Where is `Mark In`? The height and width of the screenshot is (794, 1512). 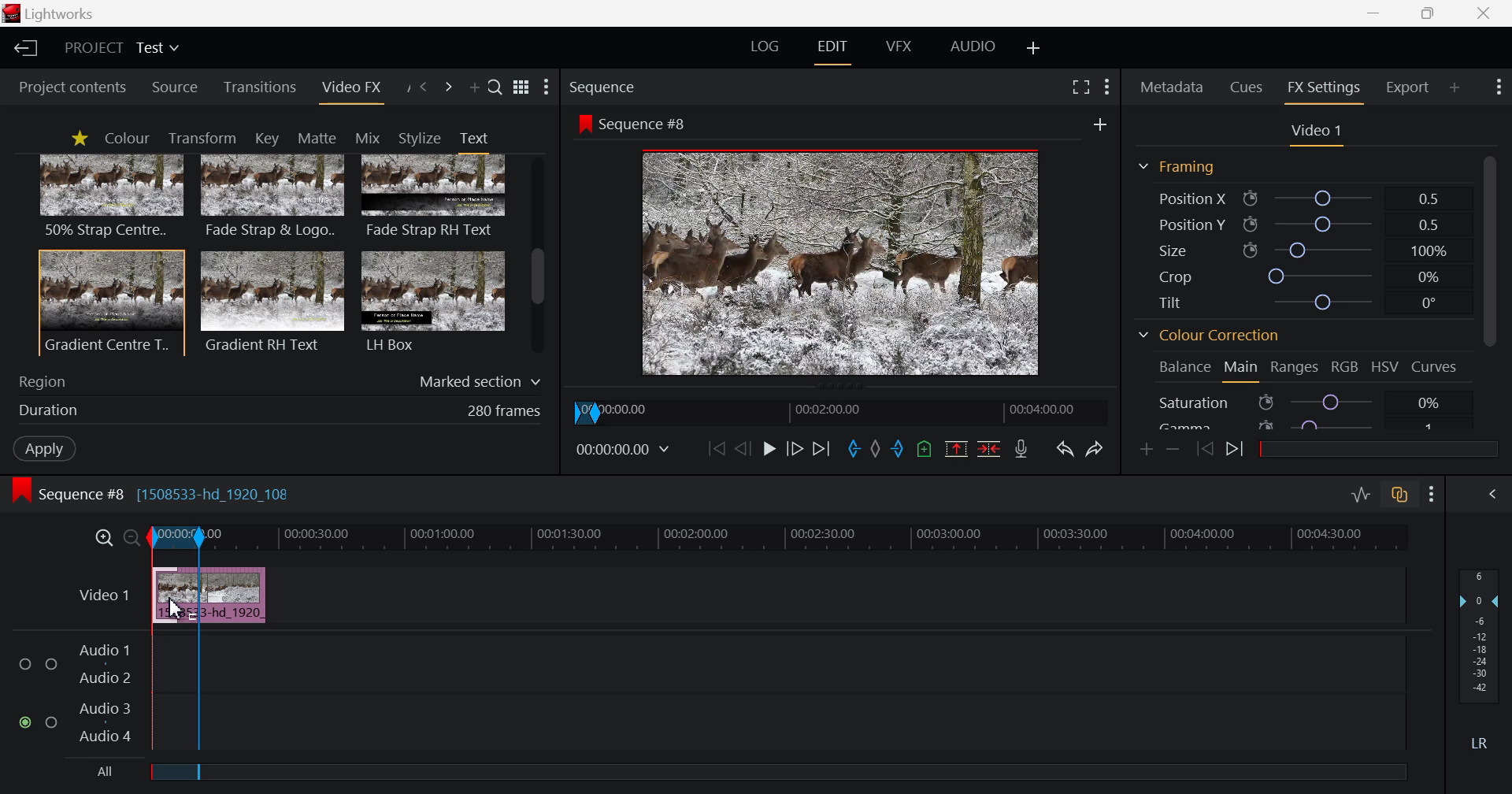 Mark In is located at coordinates (851, 447).